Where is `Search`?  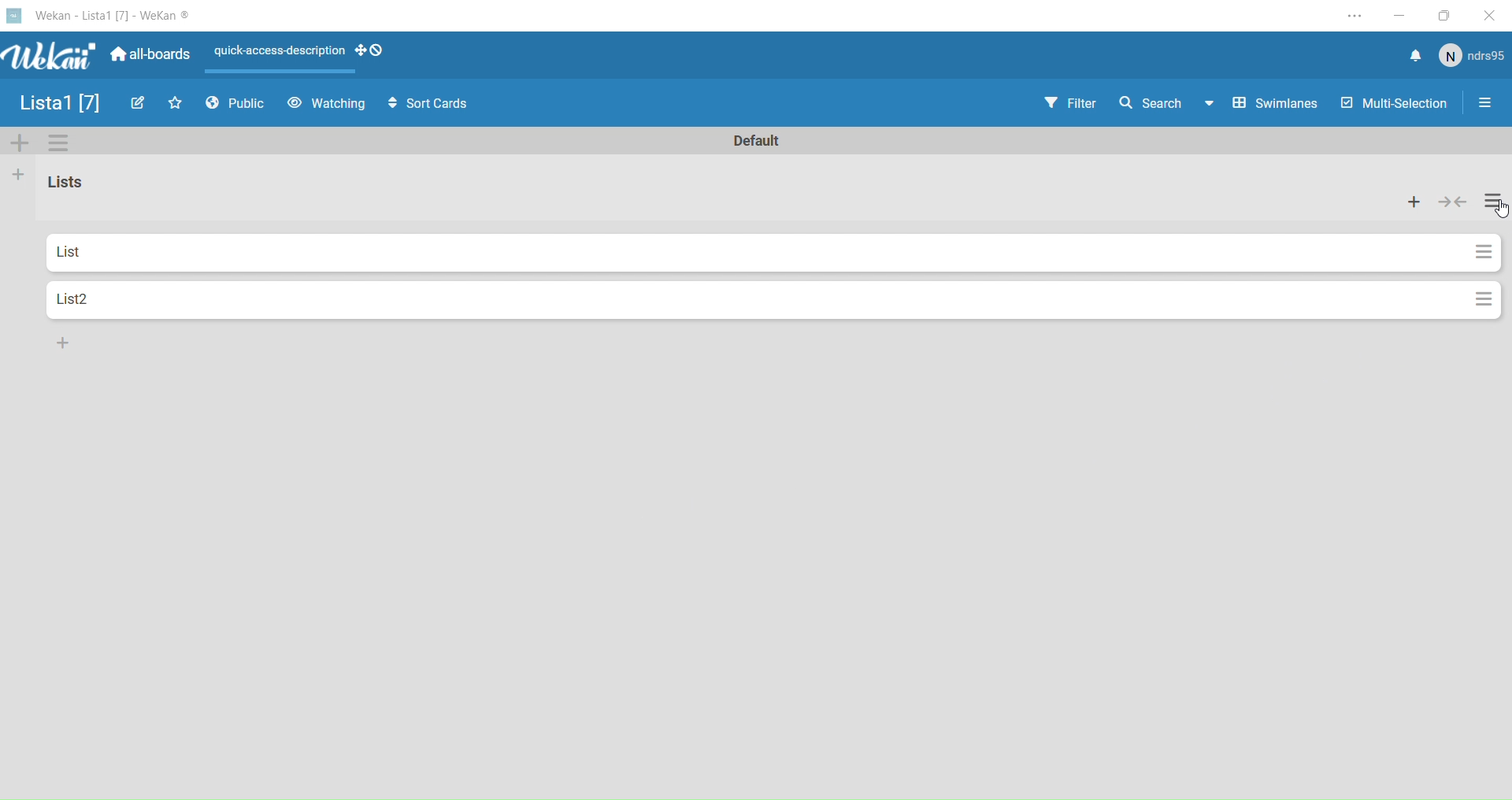
Search is located at coordinates (1148, 103).